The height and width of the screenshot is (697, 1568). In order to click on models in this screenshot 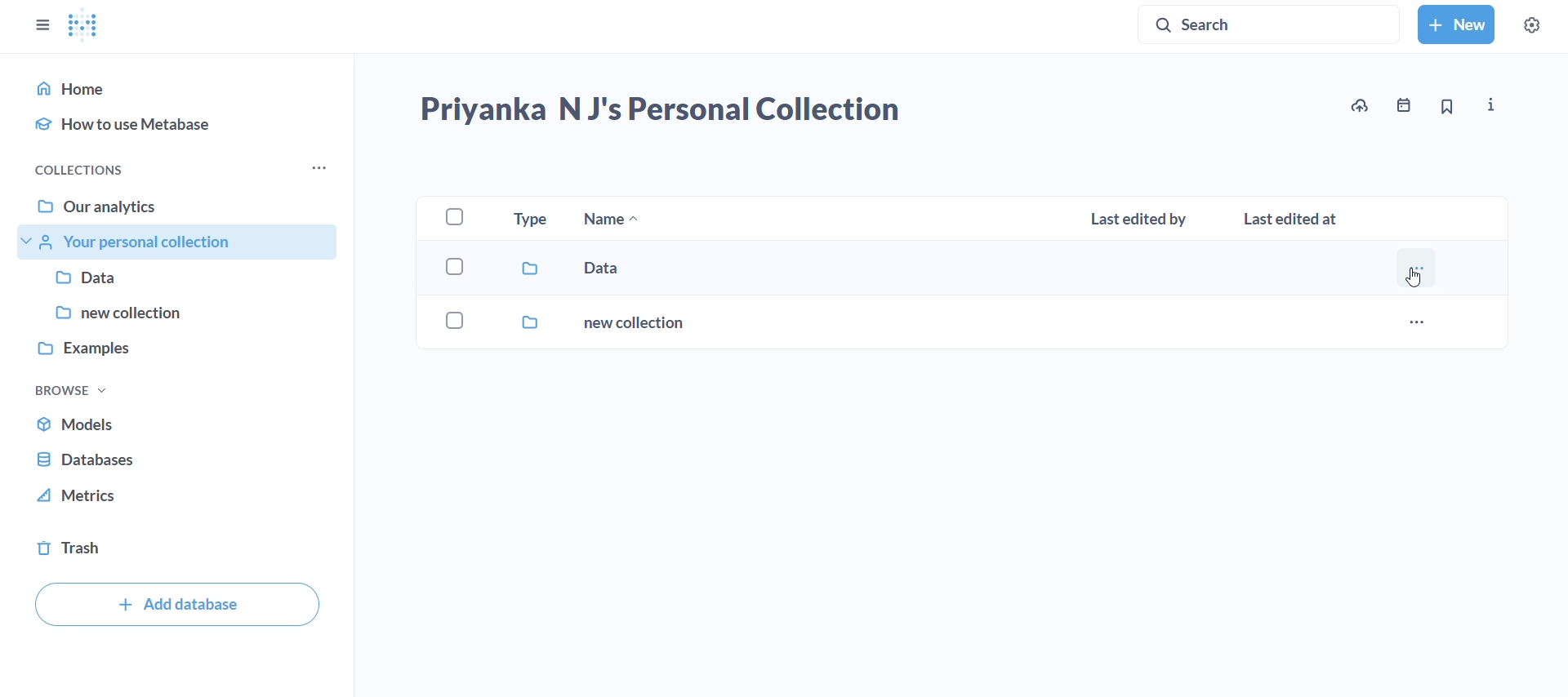, I will do `click(187, 426)`.